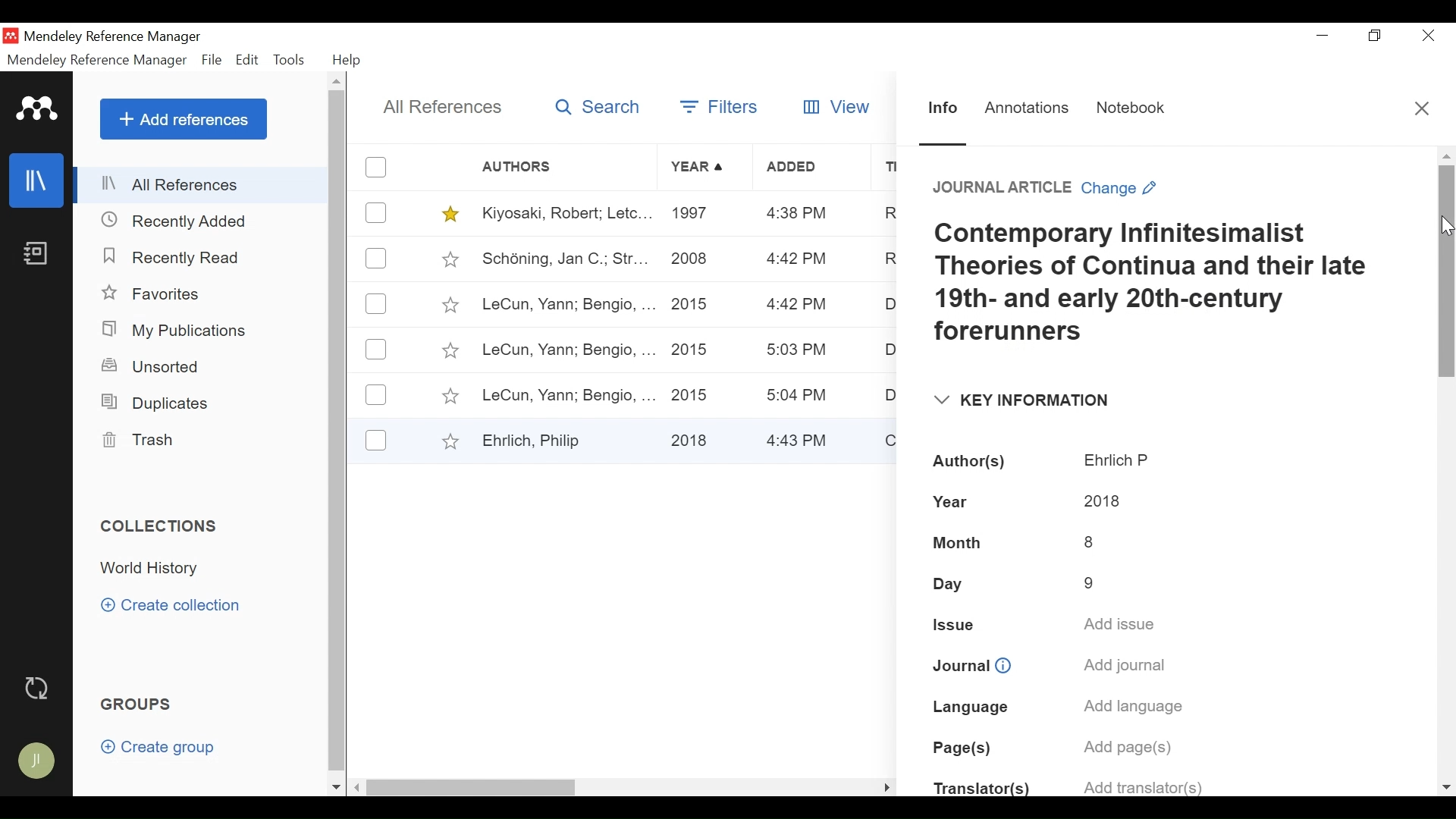  What do you see at coordinates (693, 215) in the screenshot?
I see `1997` at bounding box center [693, 215].